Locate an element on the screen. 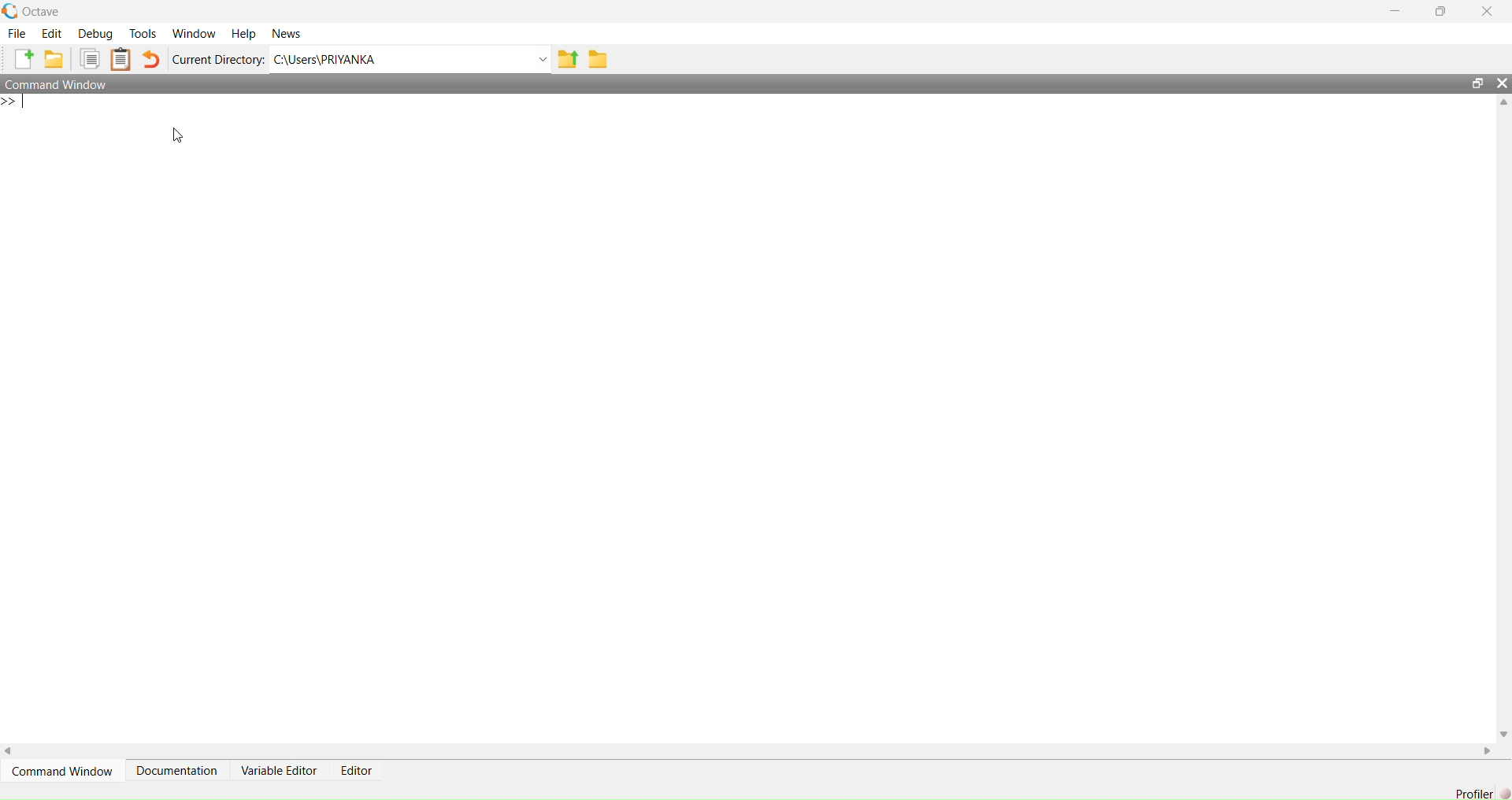 The image size is (1512, 800). Octave is located at coordinates (35, 9).